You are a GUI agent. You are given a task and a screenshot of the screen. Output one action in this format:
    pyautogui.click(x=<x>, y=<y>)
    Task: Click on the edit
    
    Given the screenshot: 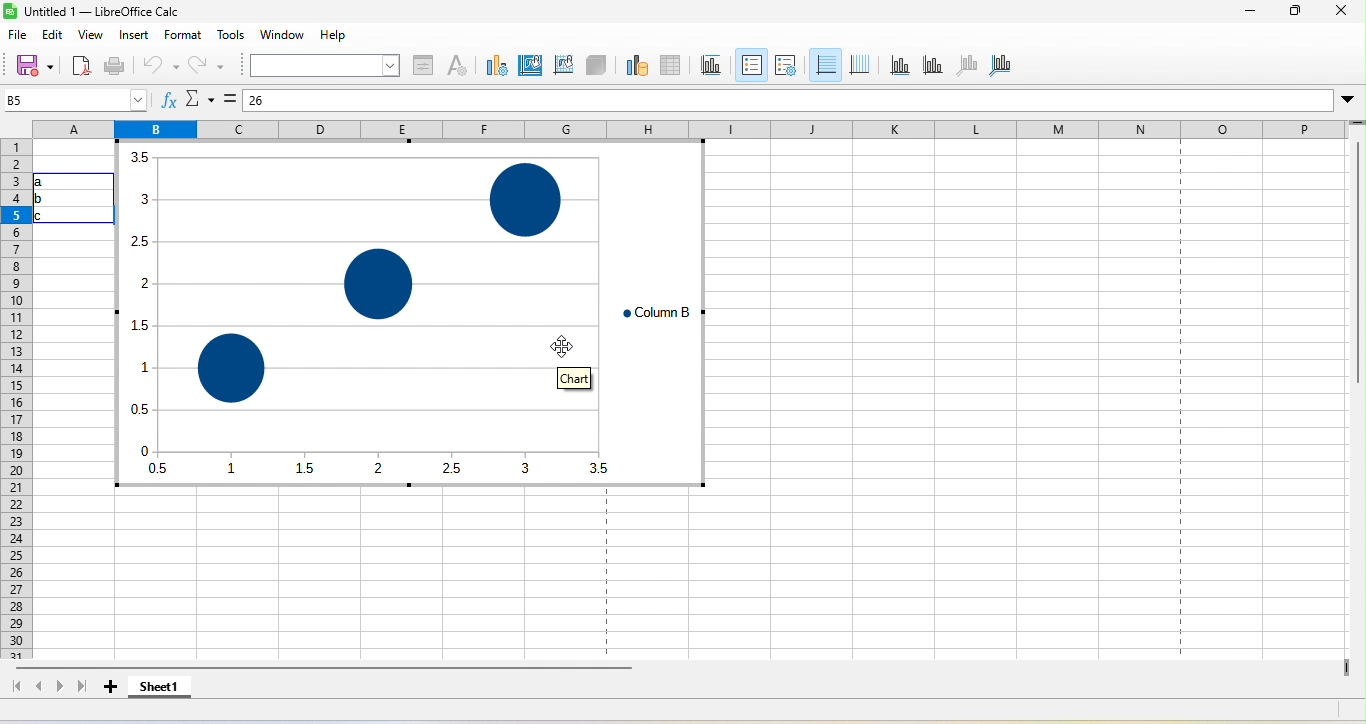 What is the action you would take?
    pyautogui.click(x=55, y=37)
    